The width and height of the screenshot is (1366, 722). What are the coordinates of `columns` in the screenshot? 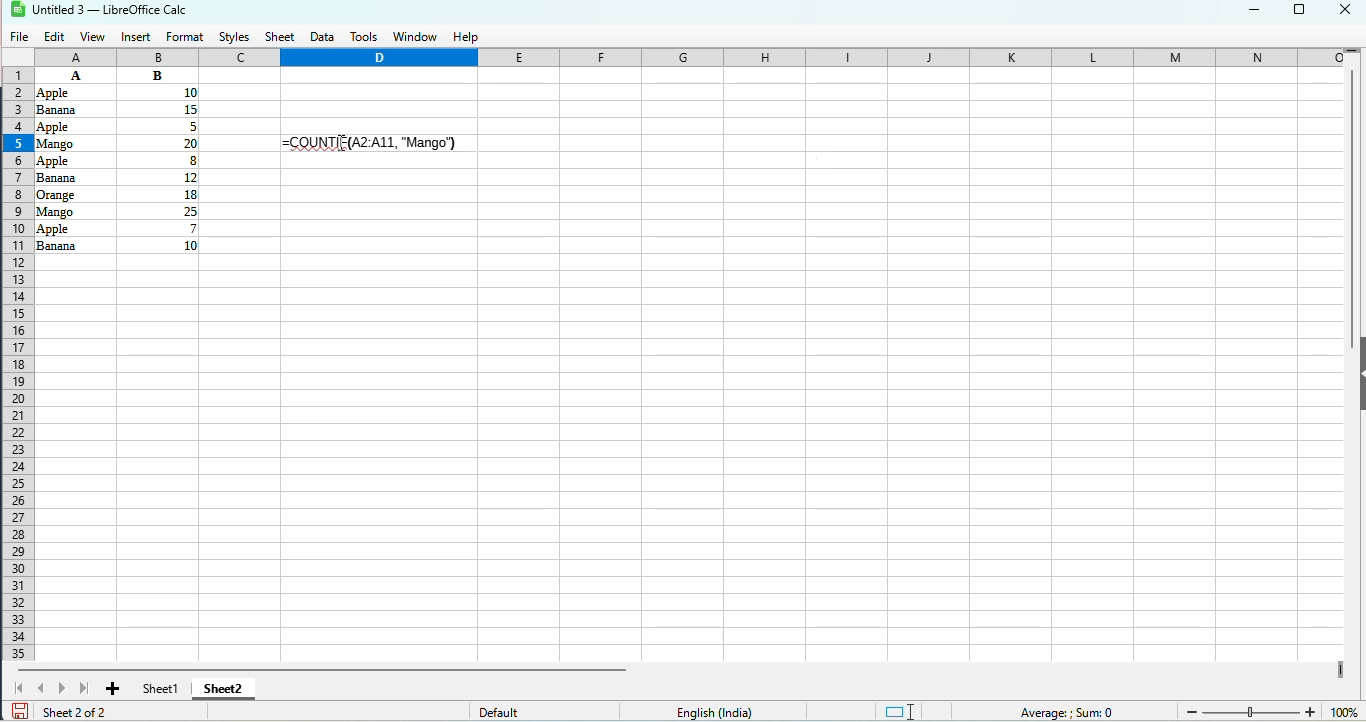 It's located at (692, 57).